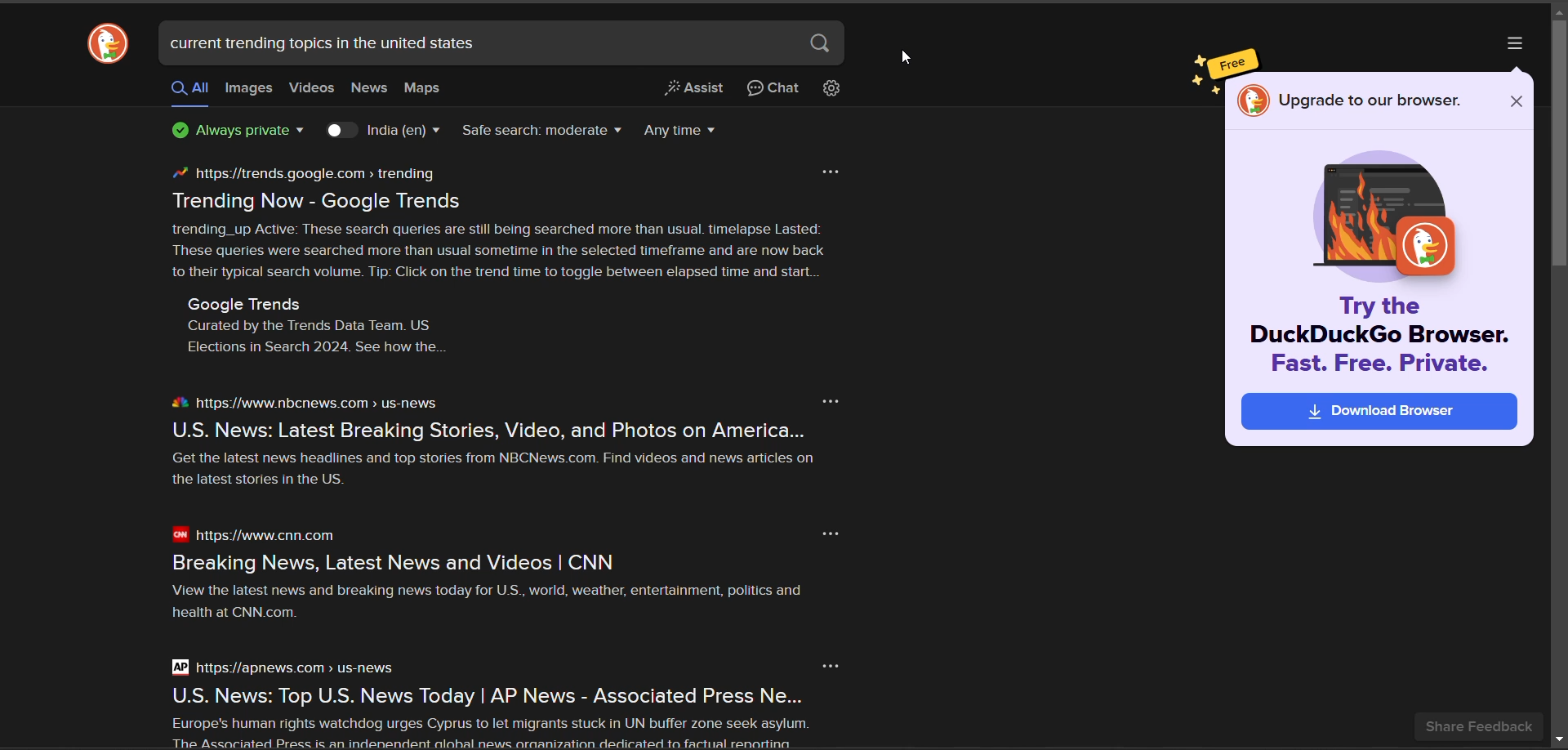  What do you see at coordinates (1558, 144) in the screenshot?
I see `vertical scroll bar` at bounding box center [1558, 144].